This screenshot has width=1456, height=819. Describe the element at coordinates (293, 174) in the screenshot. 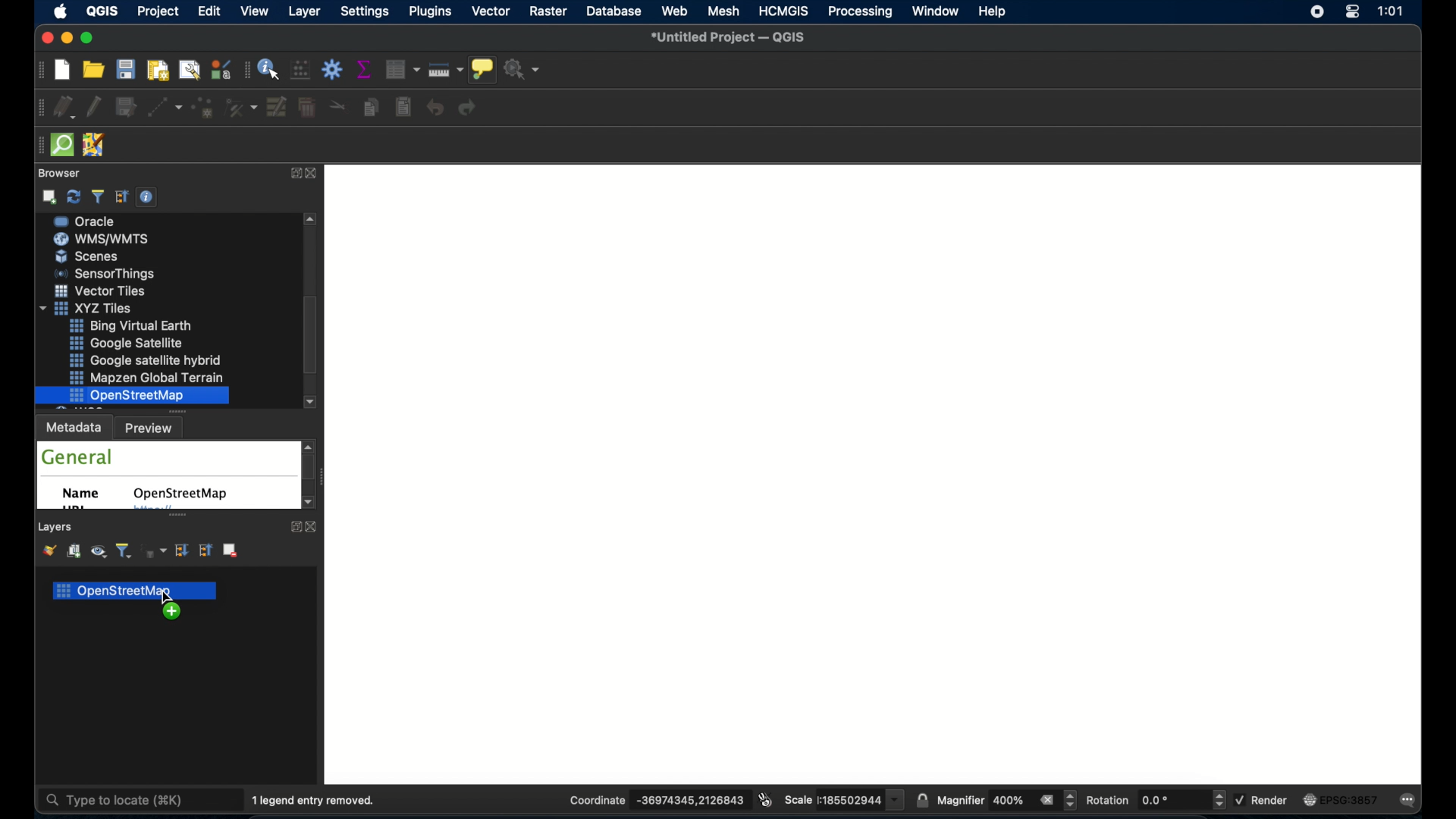

I see `expand` at that location.